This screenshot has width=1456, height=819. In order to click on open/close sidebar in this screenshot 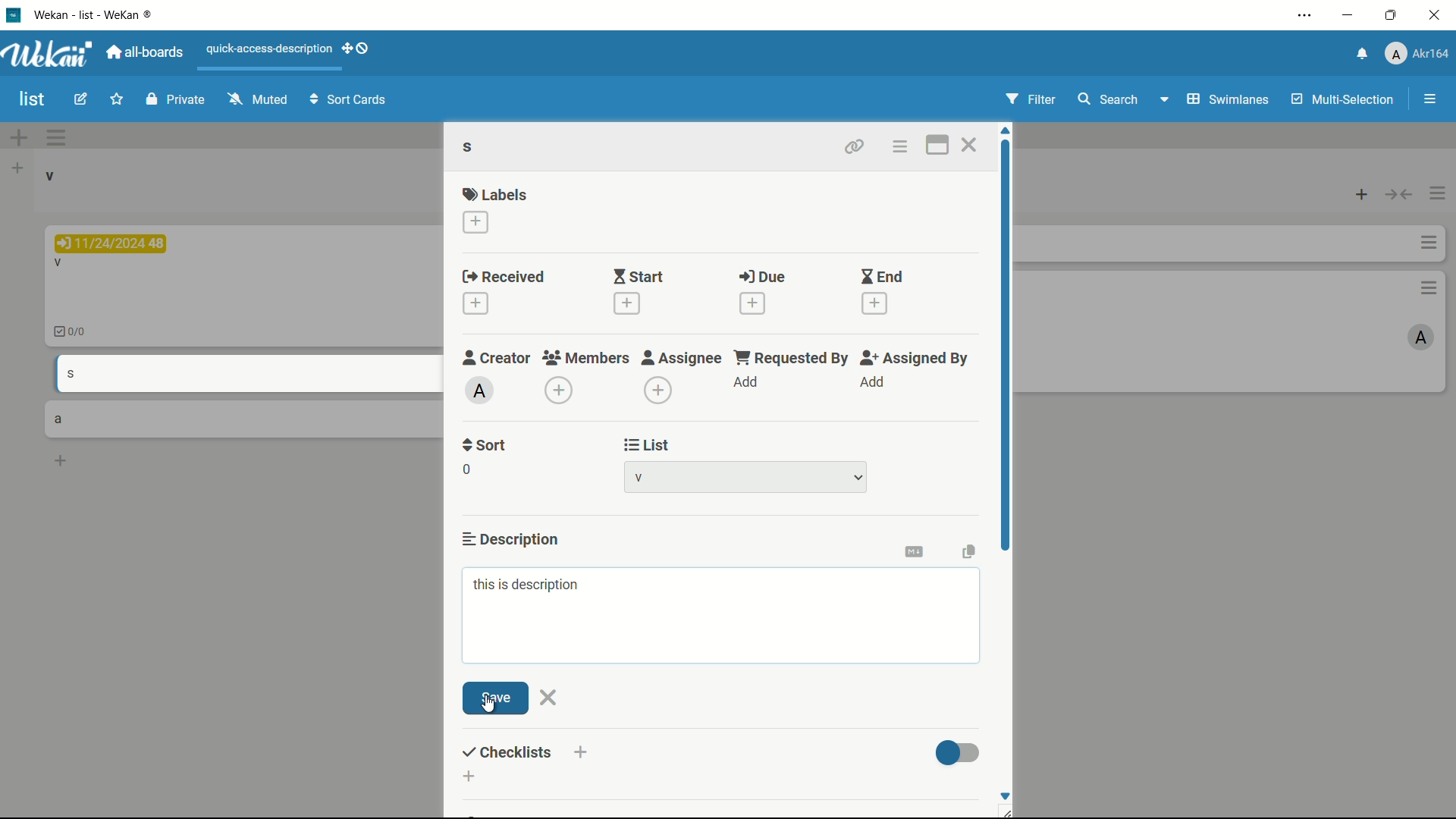, I will do `click(1430, 99)`.